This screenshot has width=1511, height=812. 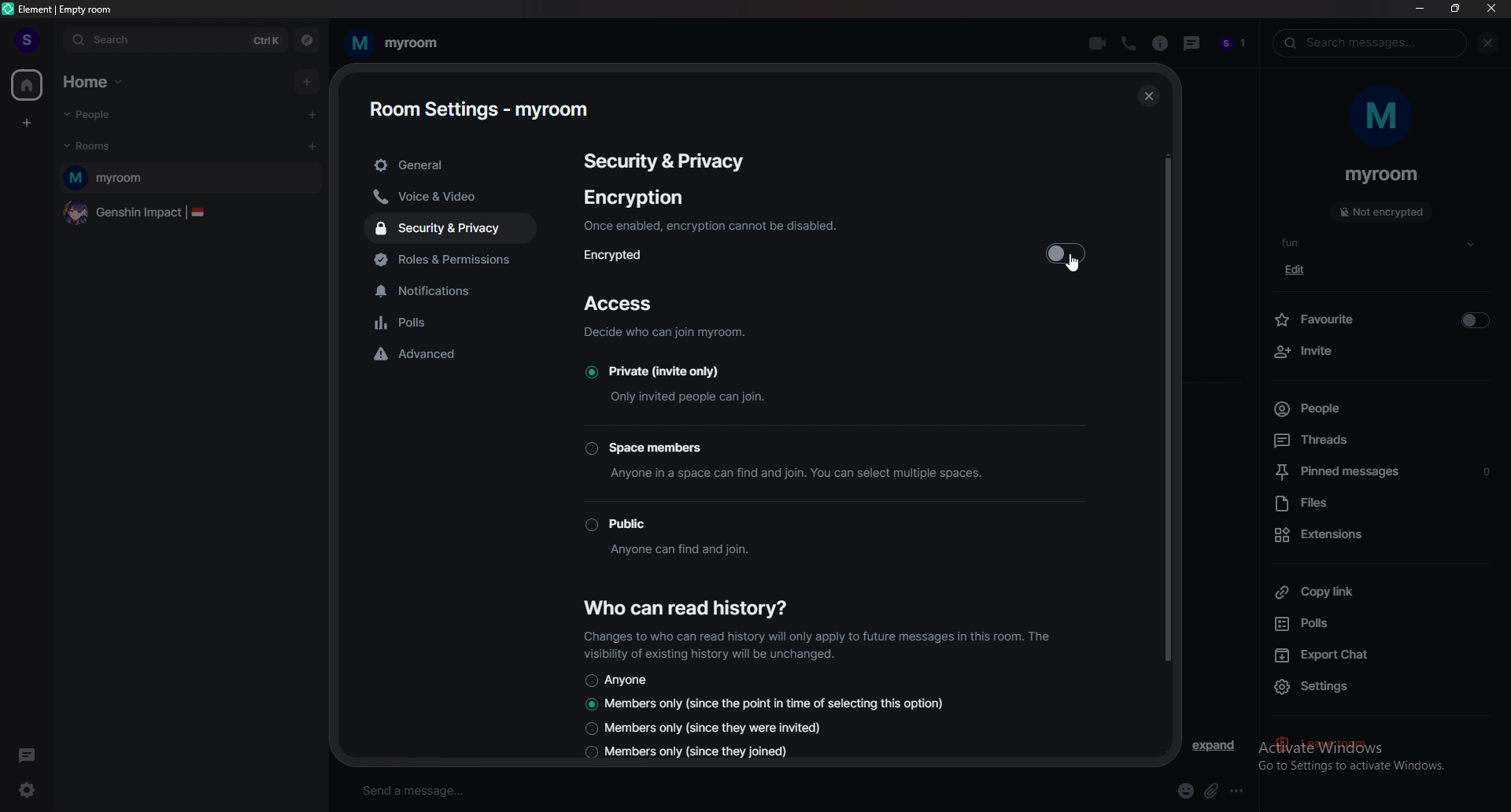 I want to click on ctrl k, so click(x=260, y=41).